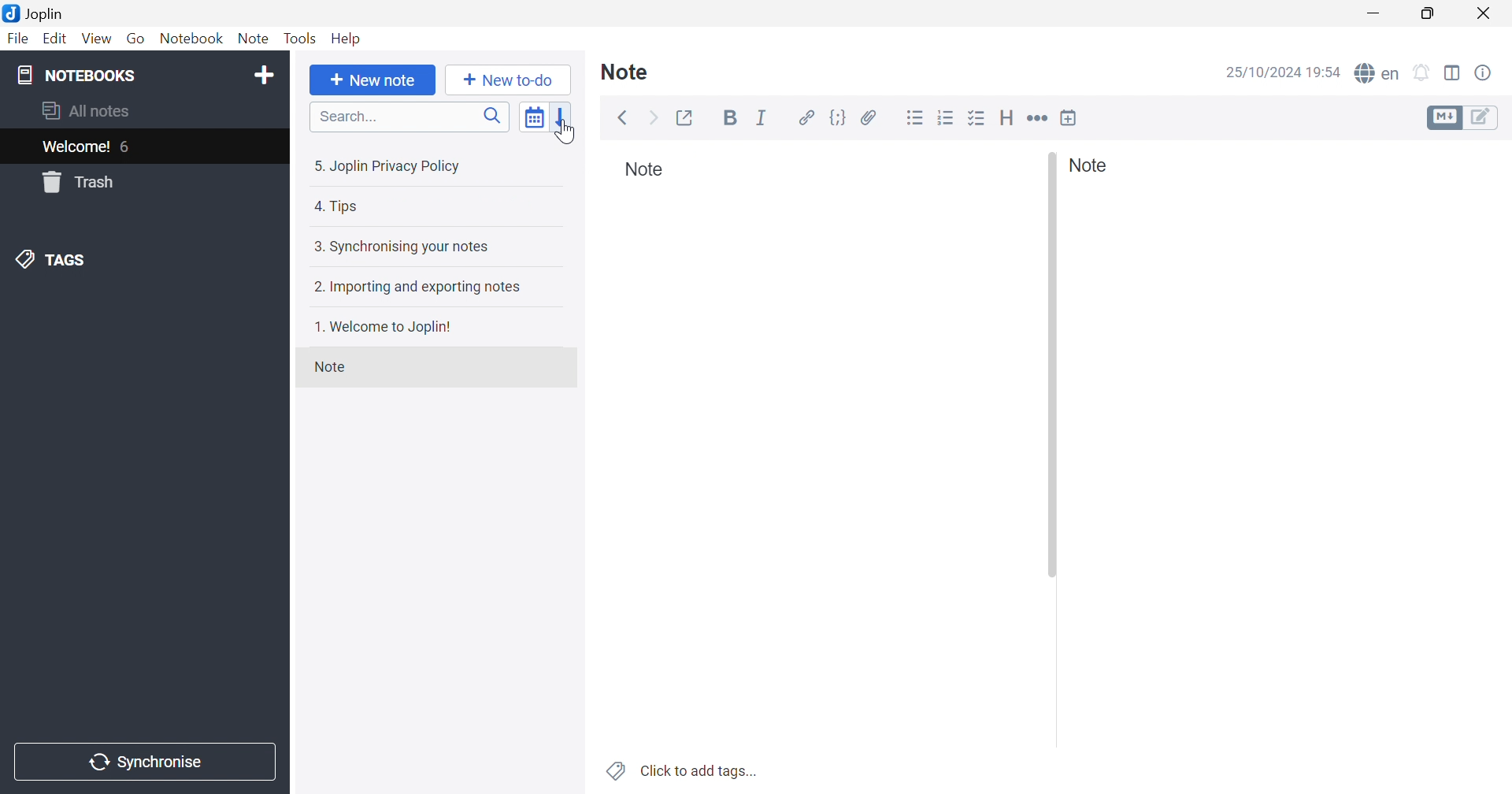 Image resolution: width=1512 pixels, height=794 pixels. What do you see at coordinates (916, 118) in the screenshot?
I see `Bulleted List` at bounding box center [916, 118].